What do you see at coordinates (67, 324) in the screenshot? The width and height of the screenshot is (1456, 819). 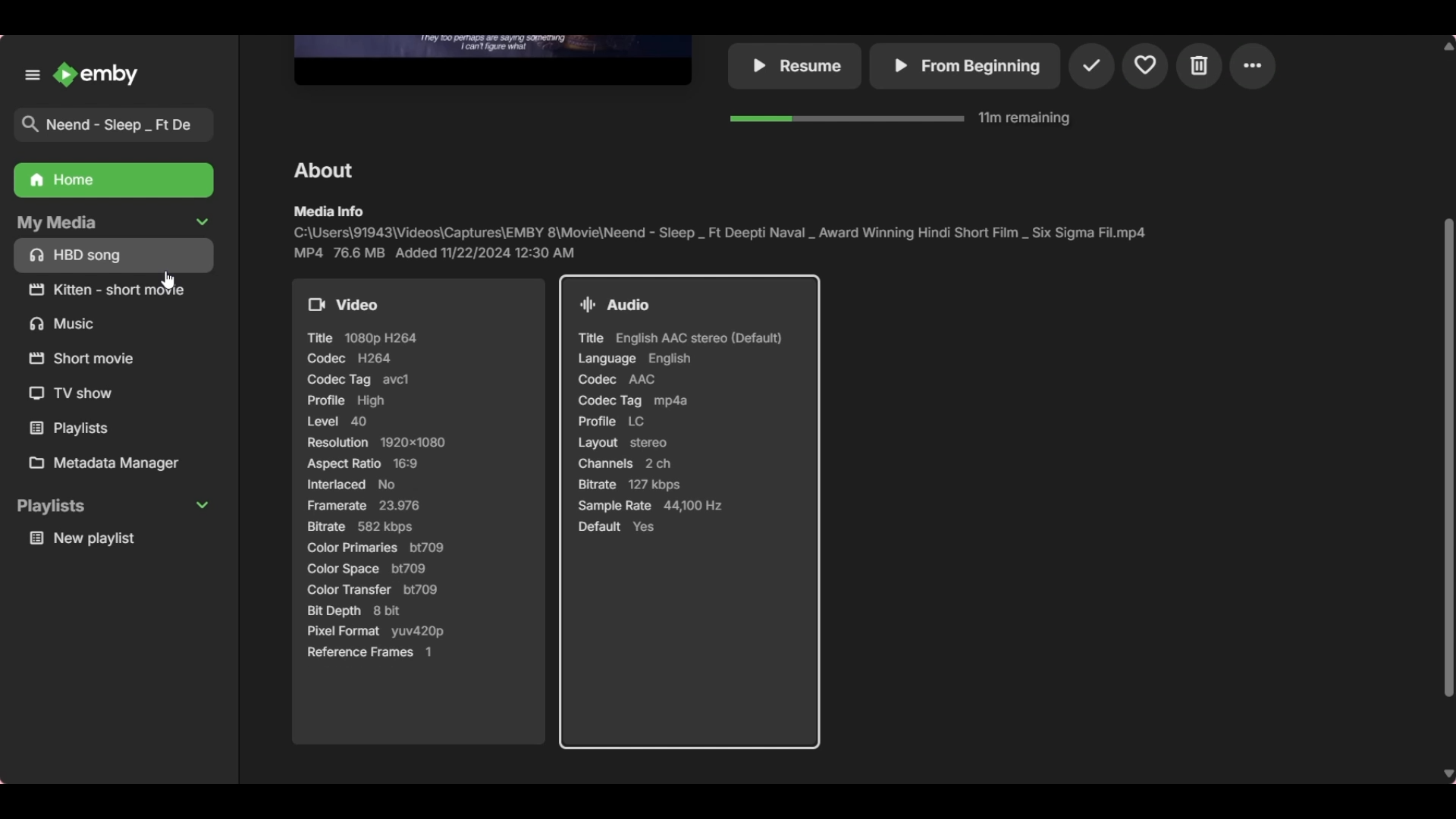 I see `` at bounding box center [67, 324].